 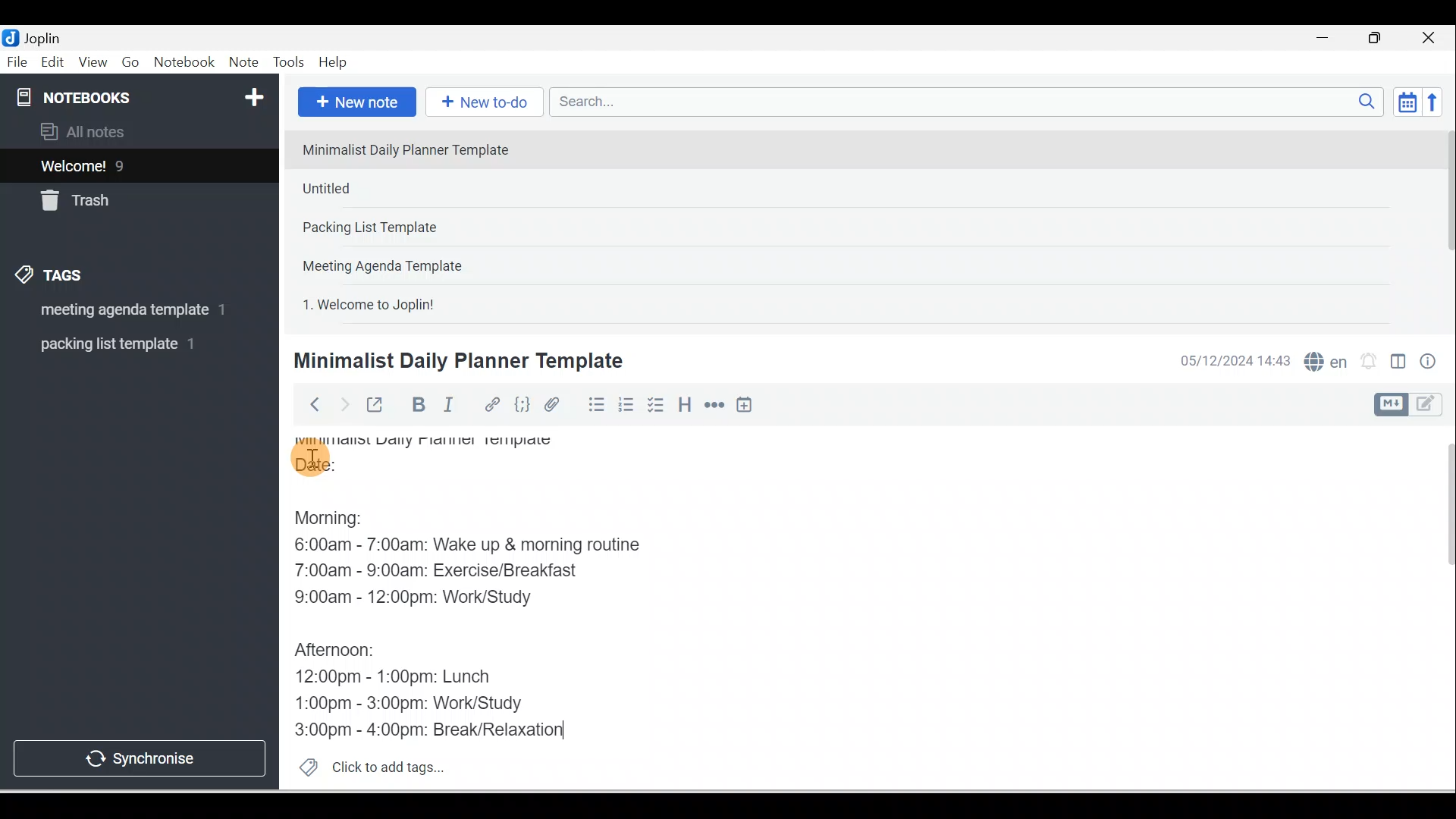 What do you see at coordinates (450, 571) in the screenshot?
I see `7:00am - 9:00am: Exercise/Breakfast` at bounding box center [450, 571].